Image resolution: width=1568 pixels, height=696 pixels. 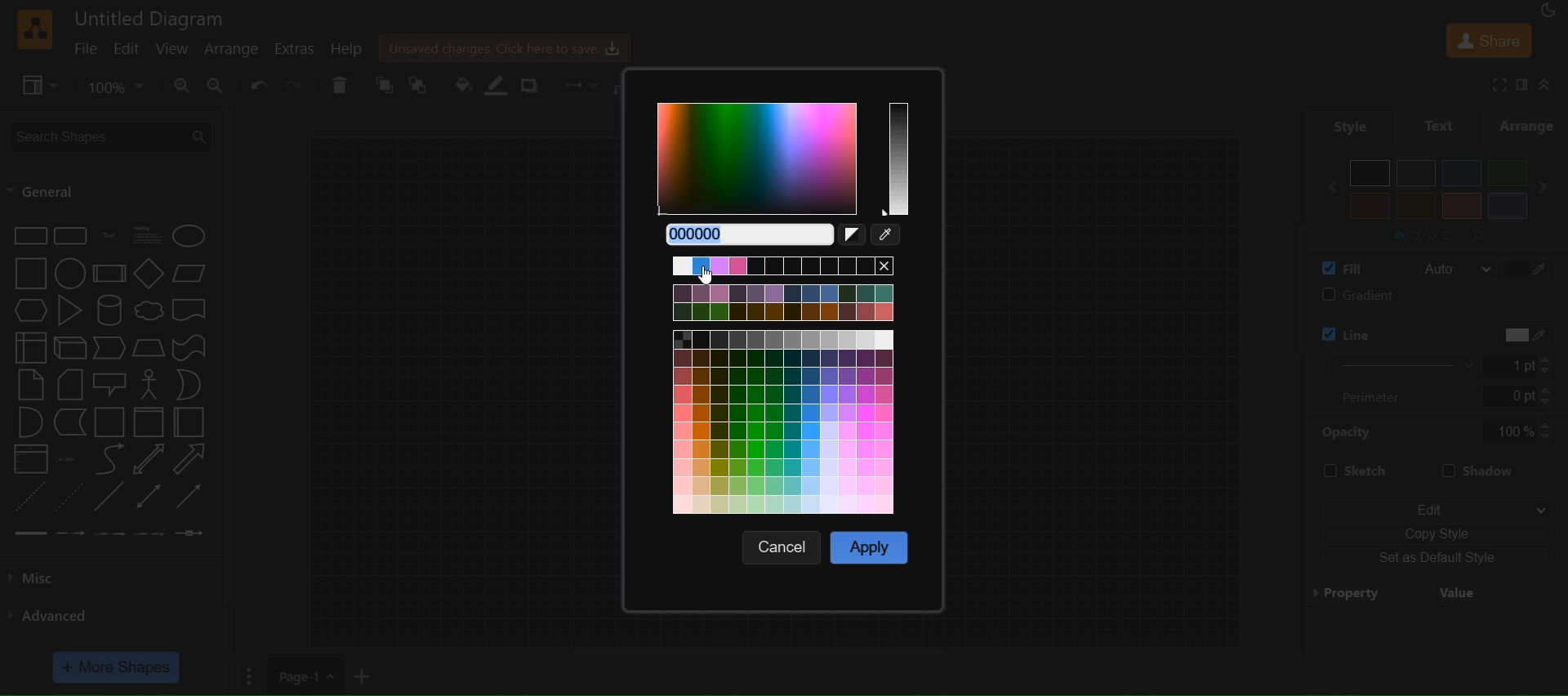 What do you see at coordinates (354, 49) in the screenshot?
I see `help` at bounding box center [354, 49].